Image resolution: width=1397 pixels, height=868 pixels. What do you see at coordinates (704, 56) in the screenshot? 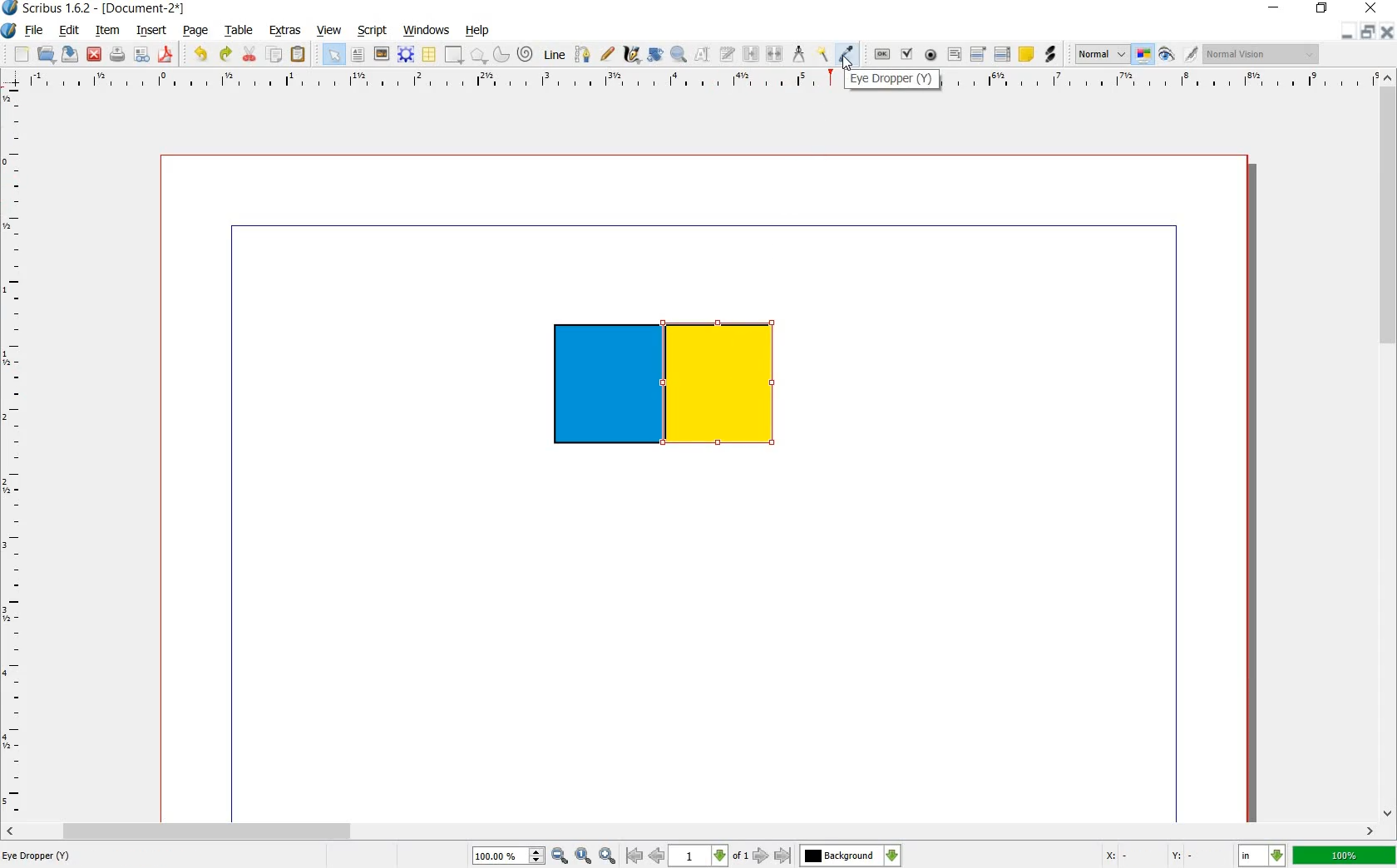
I see `edit contents of frame` at bounding box center [704, 56].